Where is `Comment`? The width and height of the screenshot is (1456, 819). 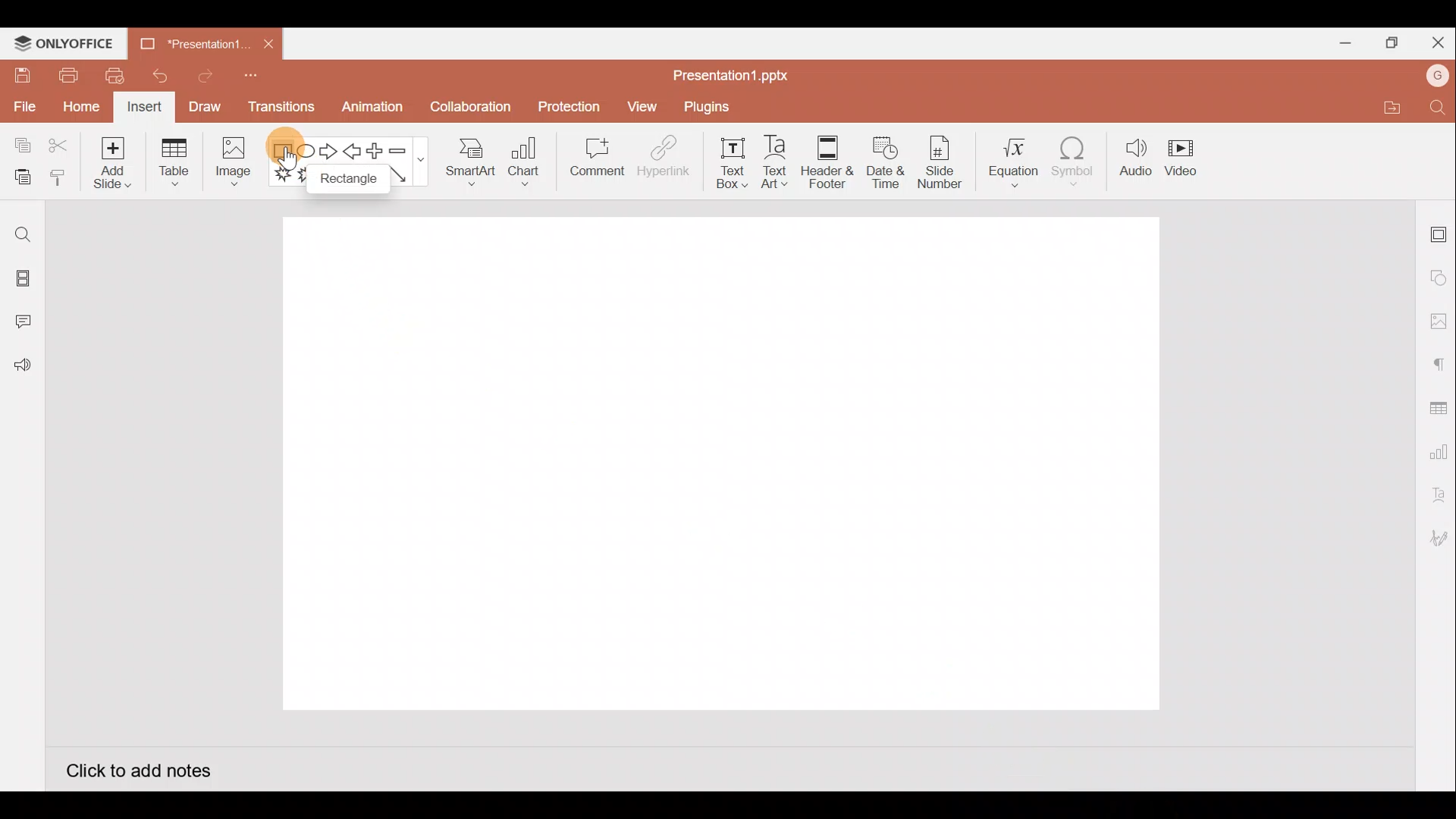 Comment is located at coordinates (591, 160).